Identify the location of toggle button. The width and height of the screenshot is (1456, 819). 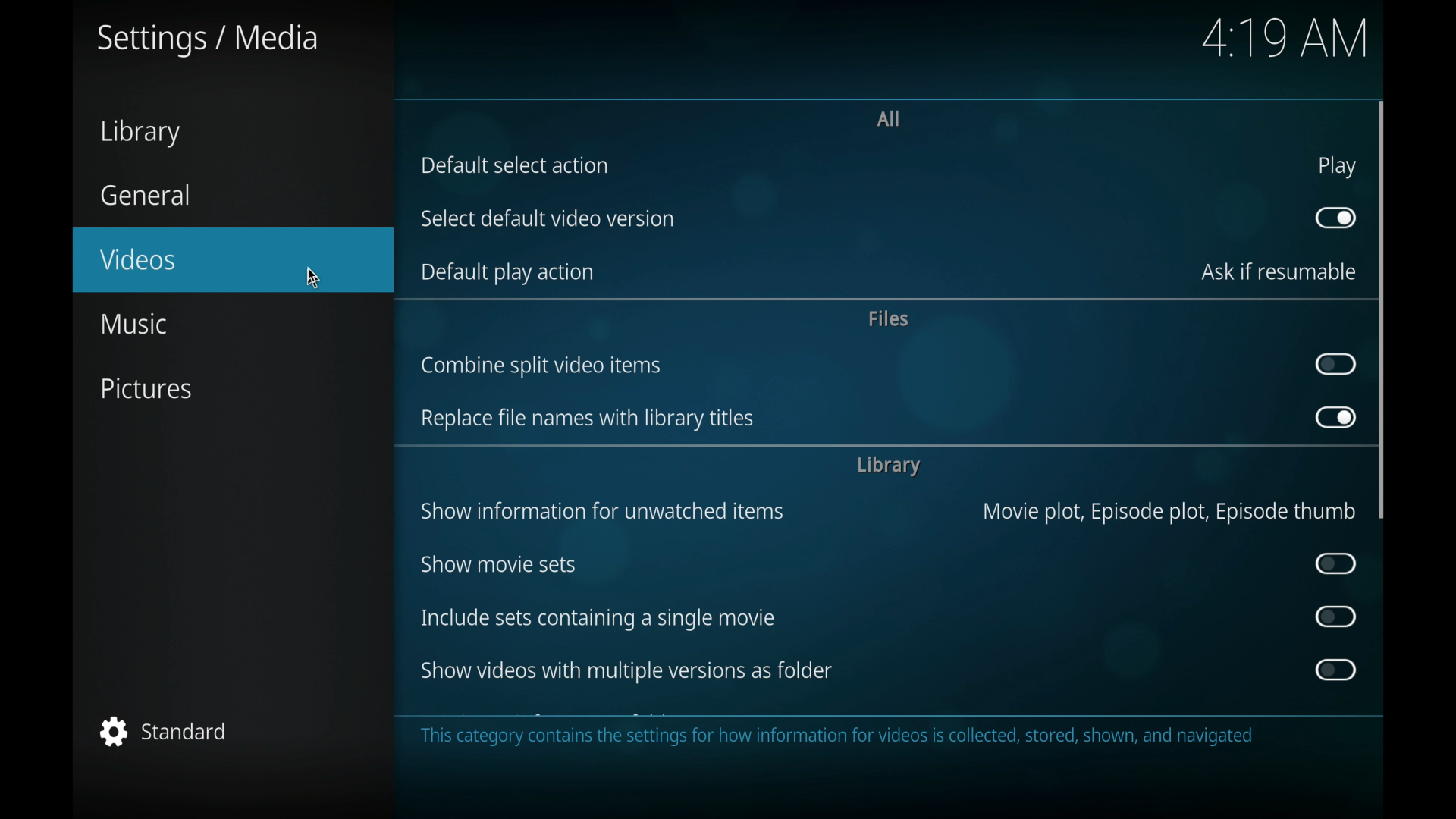
(1335, 670).